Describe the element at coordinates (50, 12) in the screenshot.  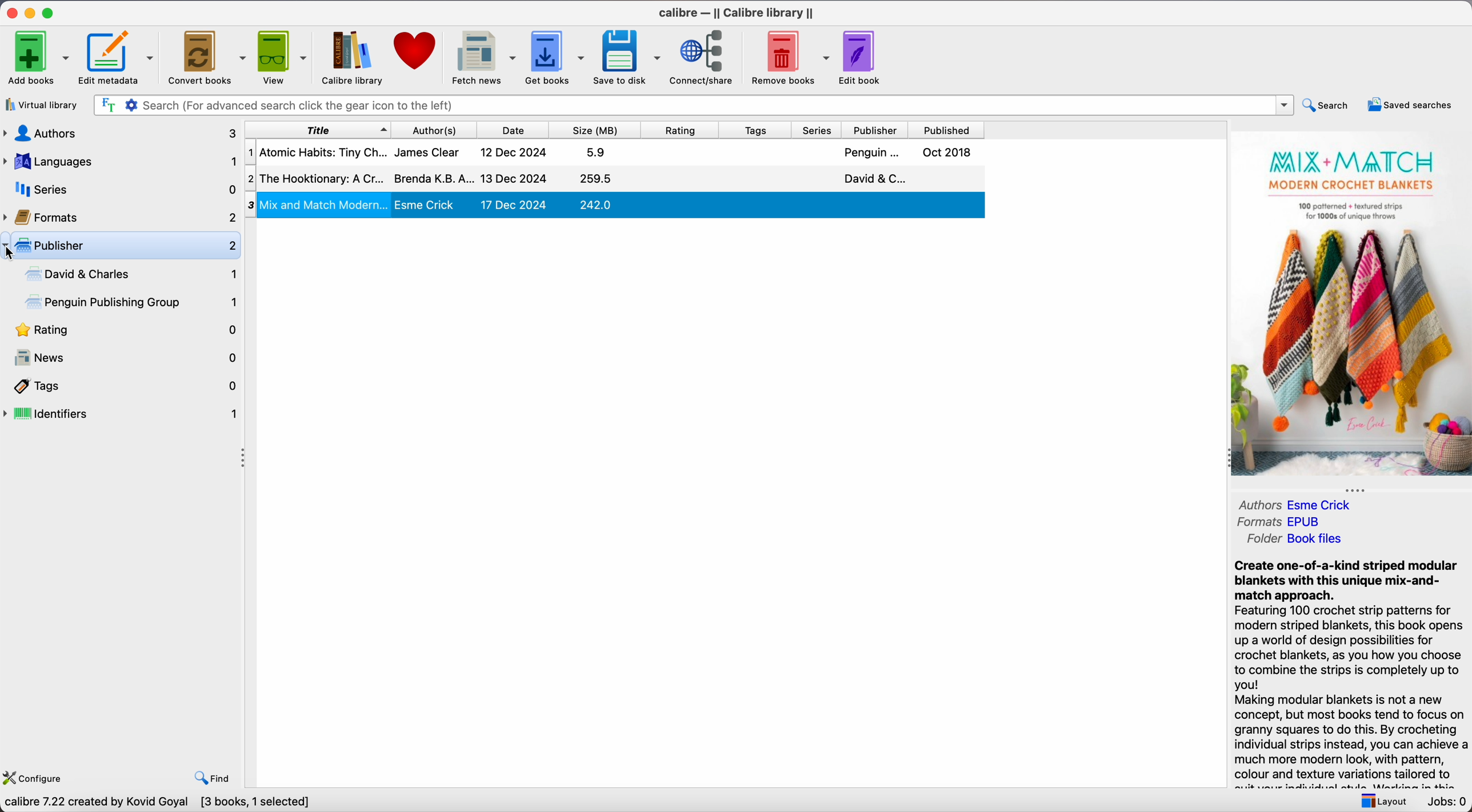
I see `maximize` at that location.